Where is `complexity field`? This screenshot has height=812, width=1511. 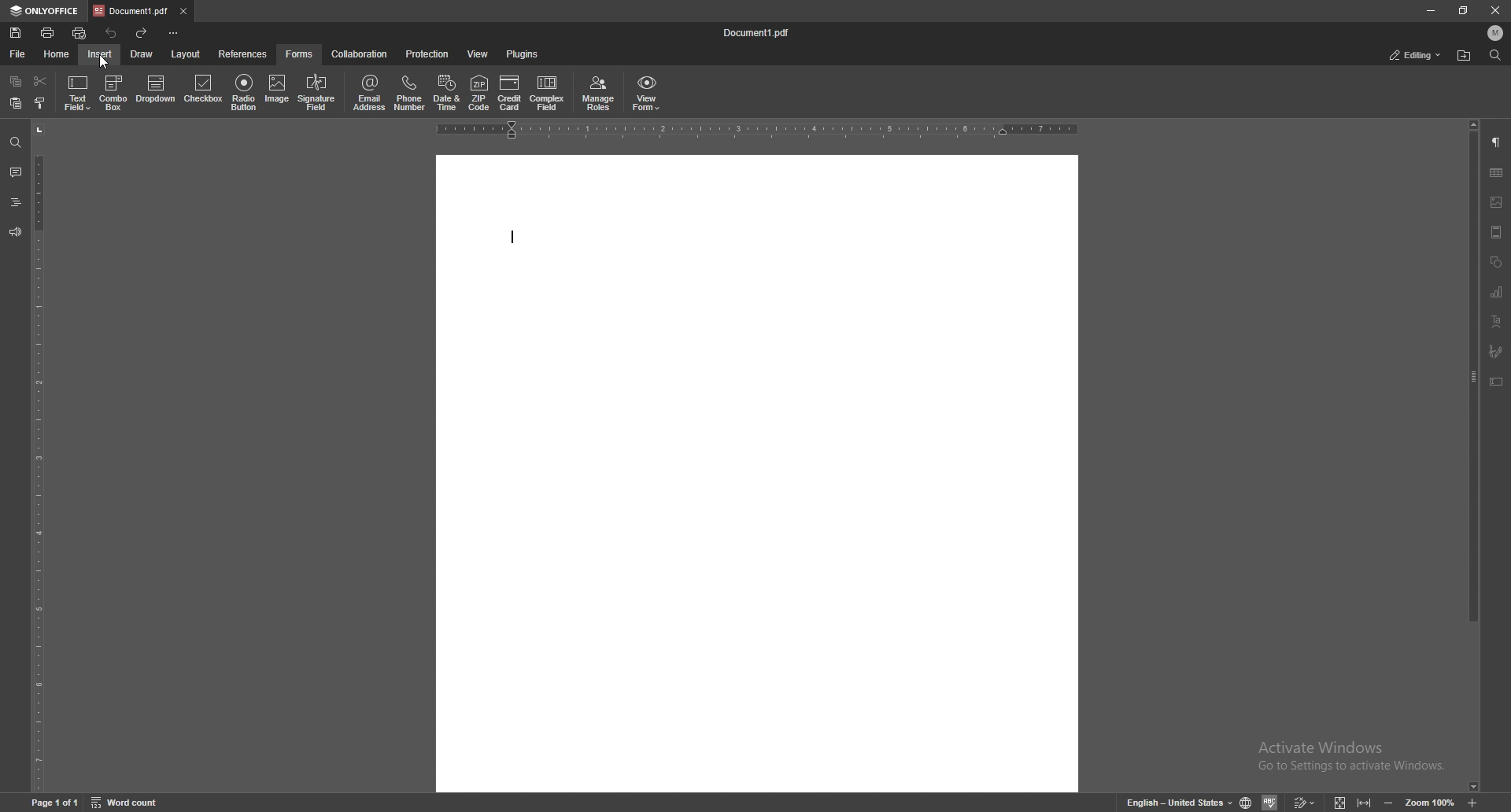 complexity field is located at coordinates (548, 93).